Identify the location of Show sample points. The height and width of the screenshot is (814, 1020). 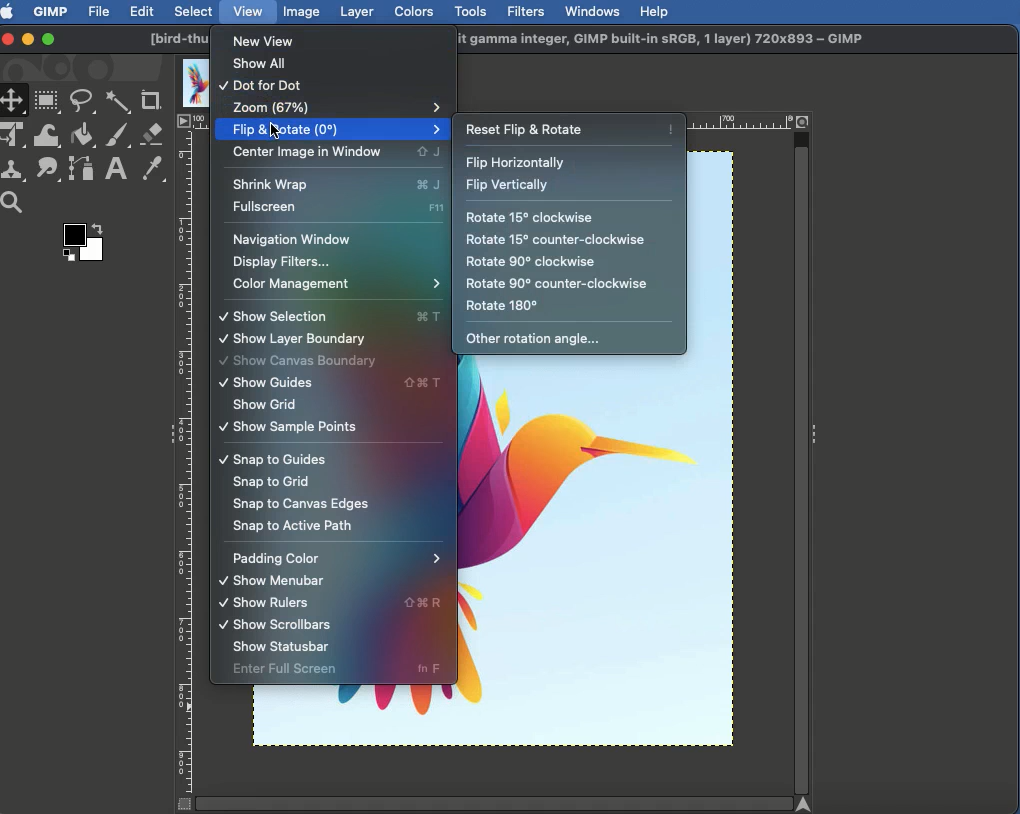
(288, 426).